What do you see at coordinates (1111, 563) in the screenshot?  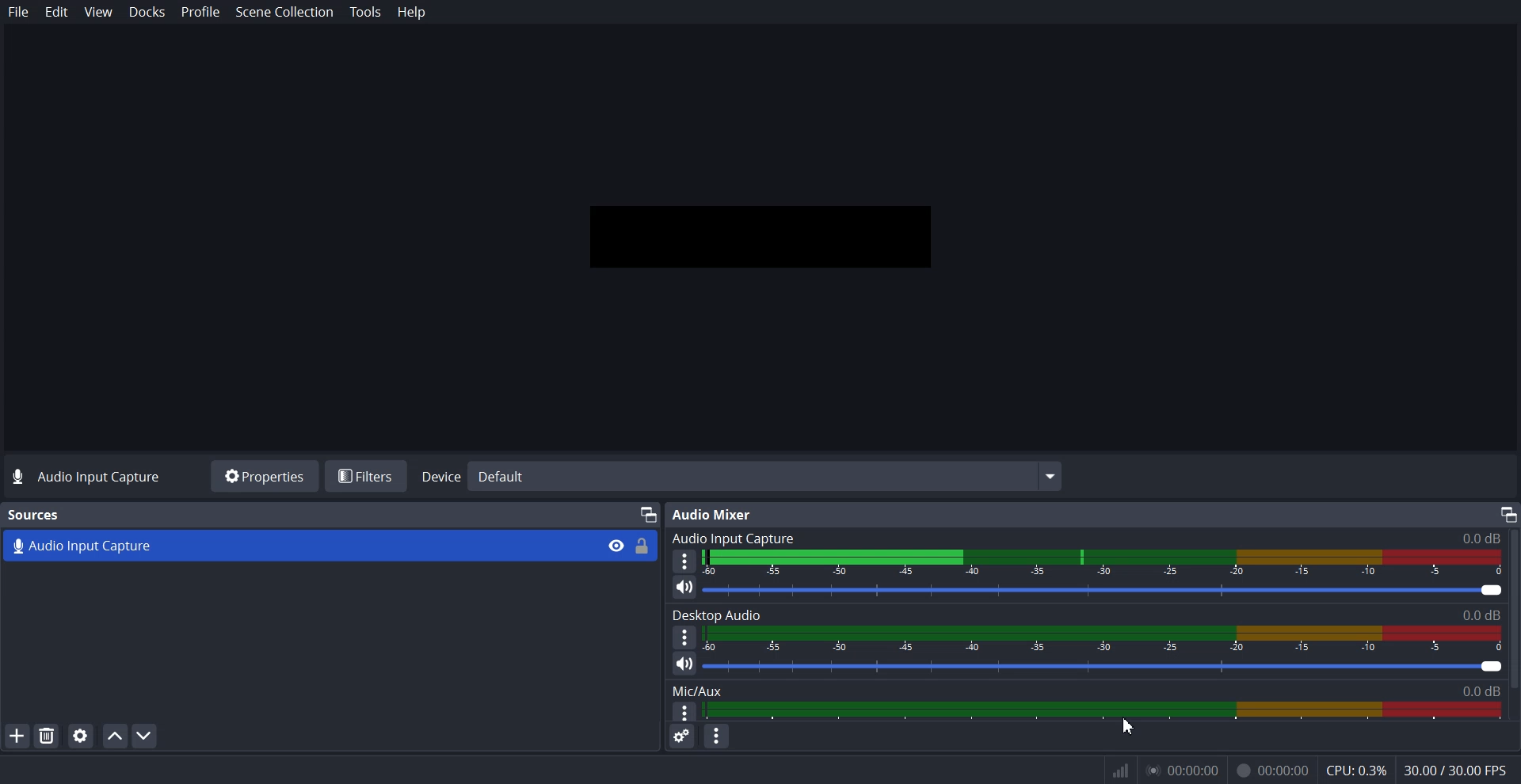 I see `Volume Indicator` at bounding box center [1111, 563].